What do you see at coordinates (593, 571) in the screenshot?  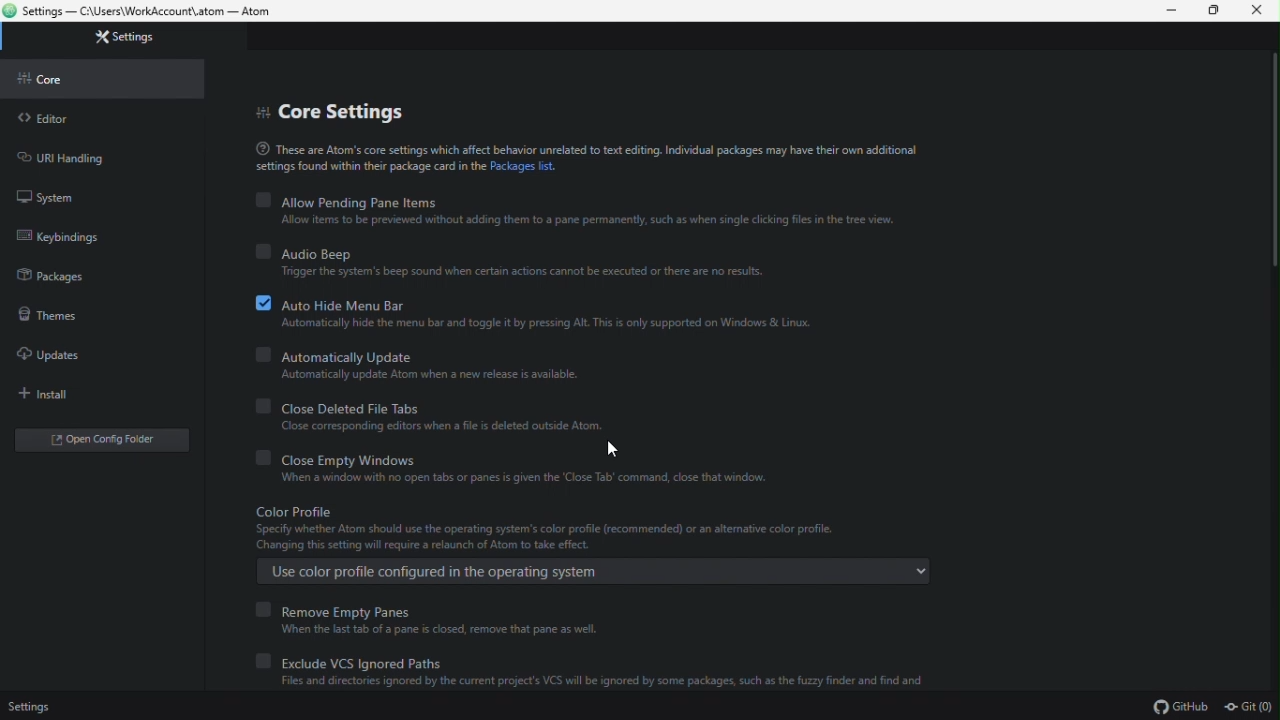 I see `Use color profile configured in the operating system E` at bounding box center [593, 571].